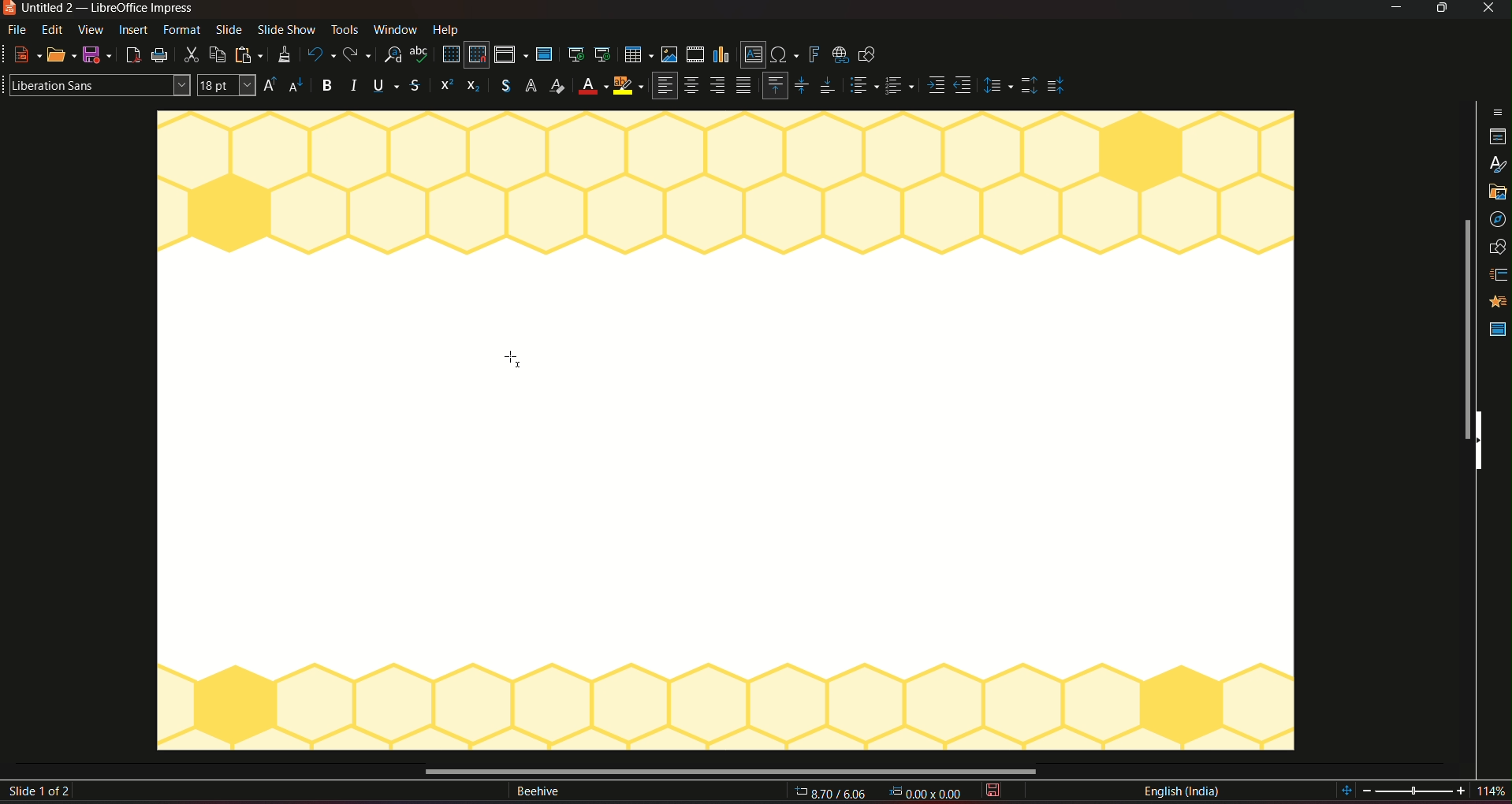  What do you see at coordinates (1499, 216) in the screenshot?
I see `shapes` at bounding box center [1499, 216].